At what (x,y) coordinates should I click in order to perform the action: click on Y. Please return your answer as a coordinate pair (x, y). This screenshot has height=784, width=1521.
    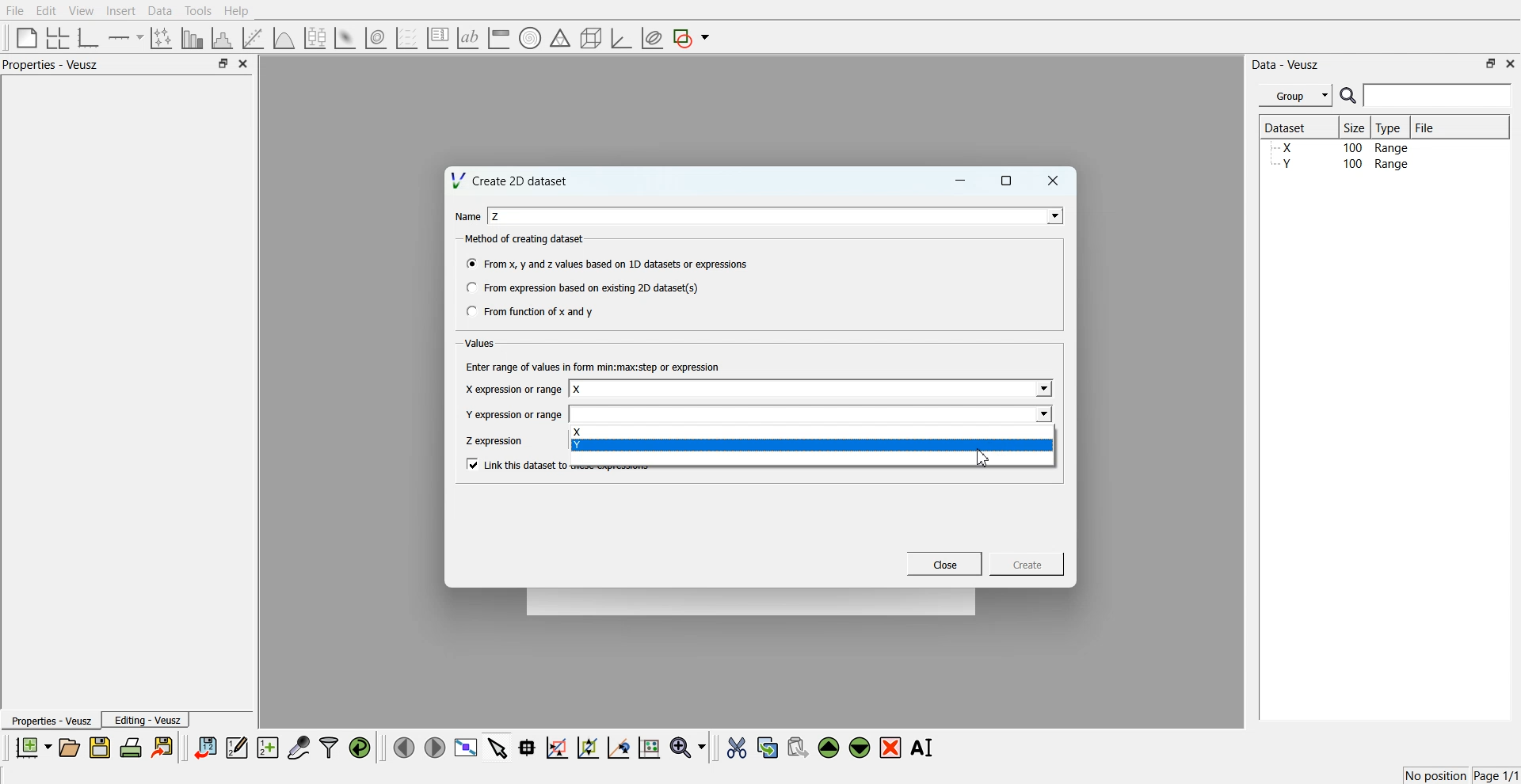
    Looking at the image, I should click on (810, 445).